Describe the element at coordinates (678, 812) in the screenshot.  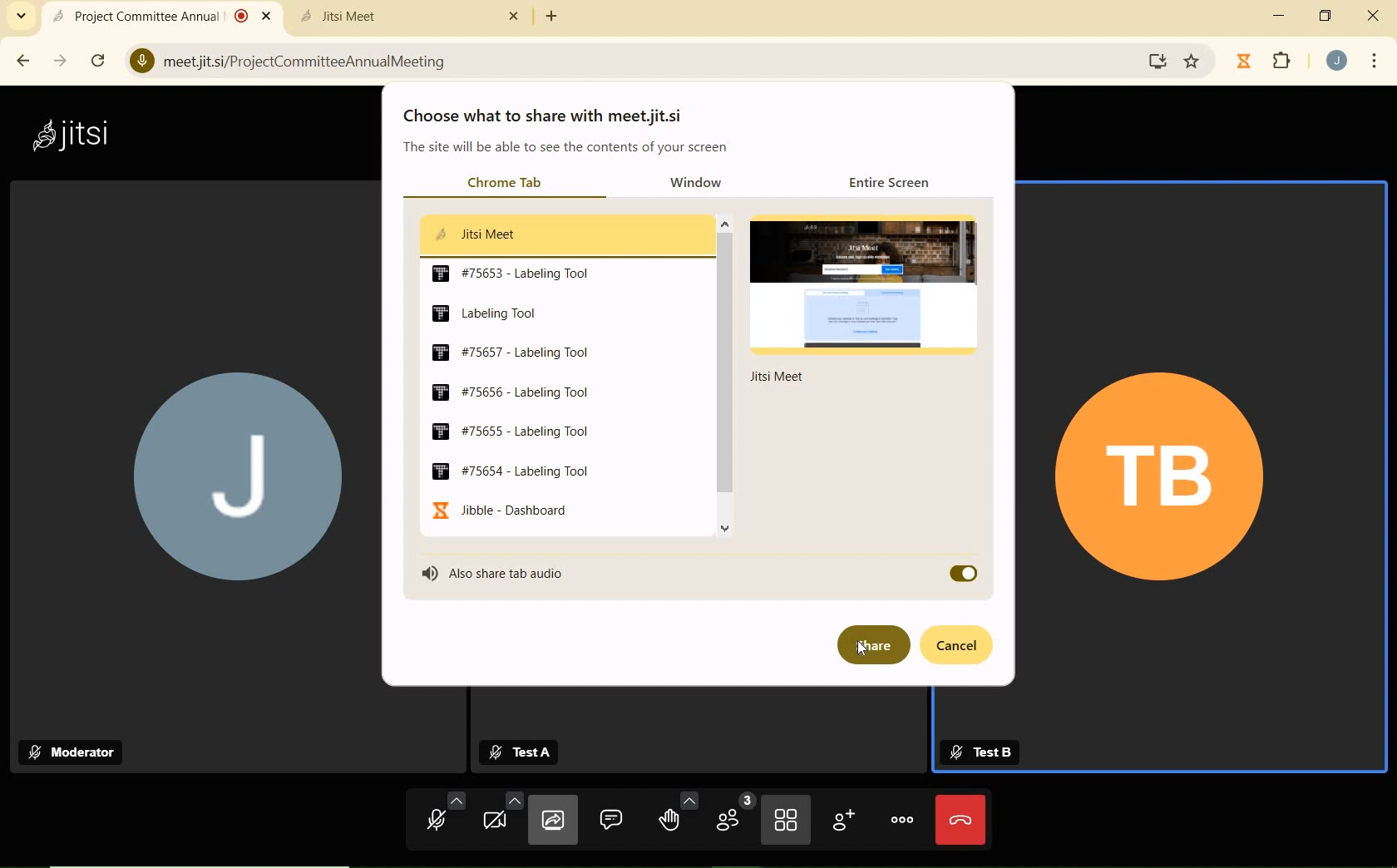
I see `raise your hand` at that location.